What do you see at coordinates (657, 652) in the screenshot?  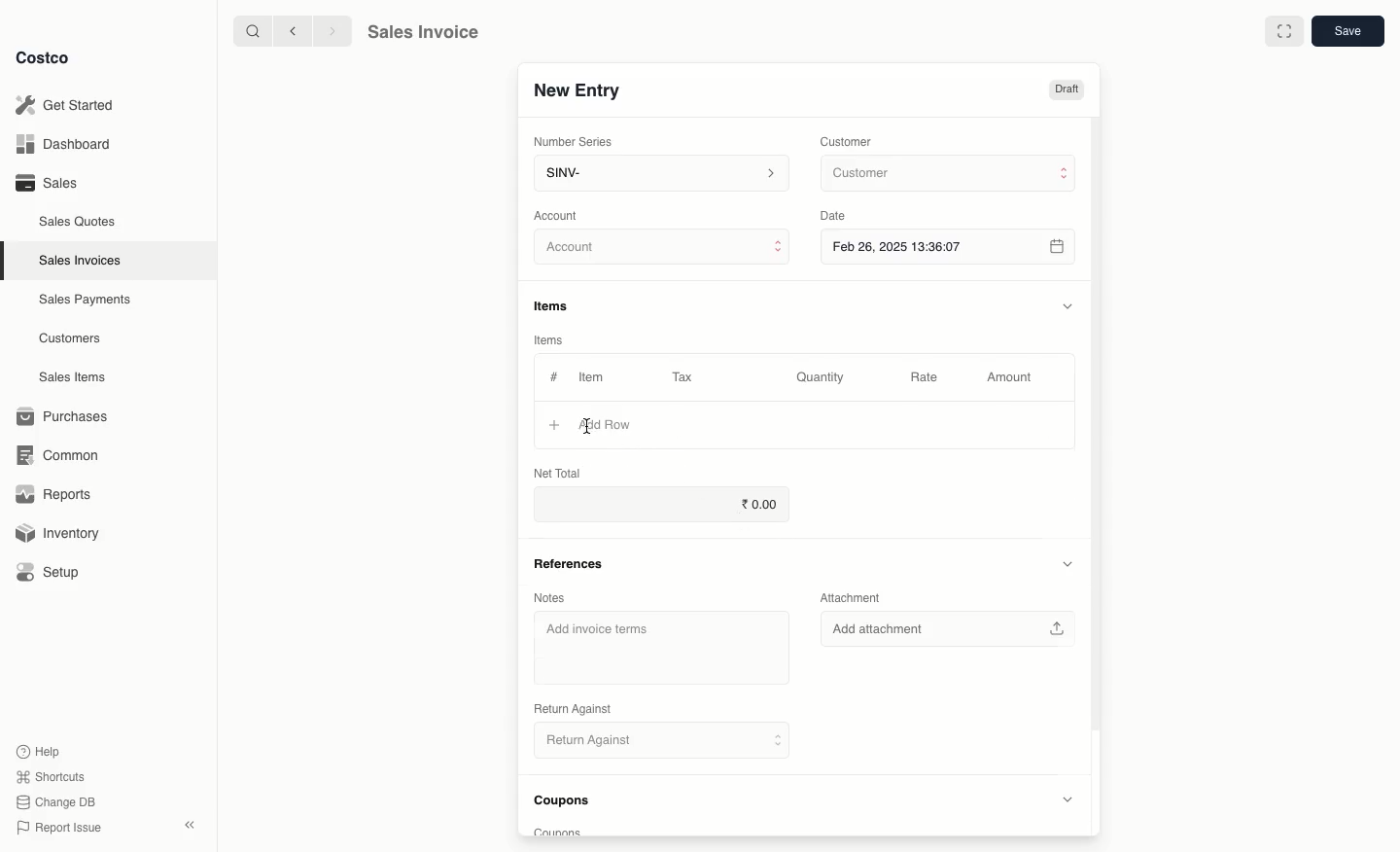 I see `‘Add invoice terms` at bounding box center [657, 652].